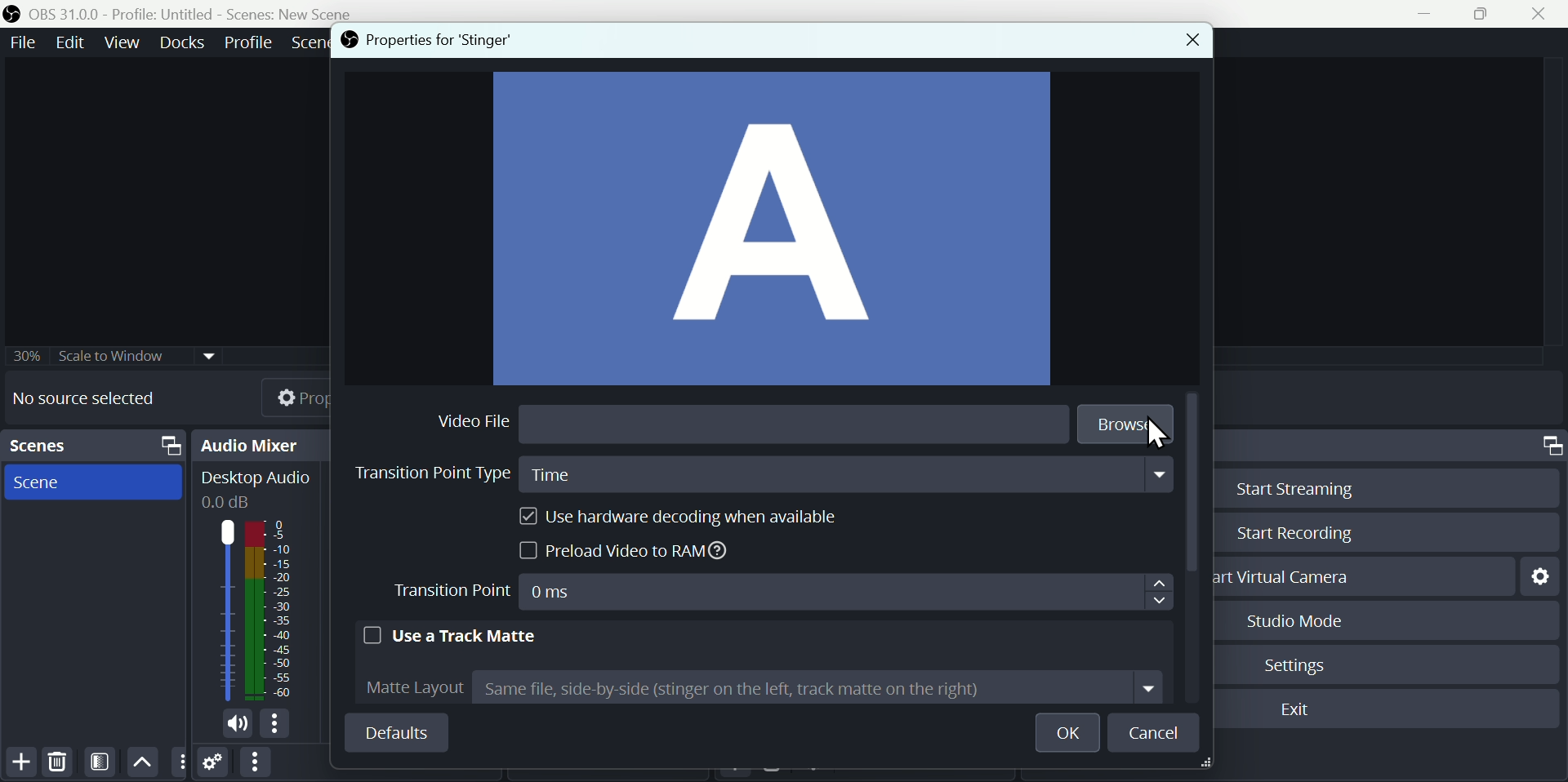 This screenshot has height=782, width=1568. What do you see at coordinates (819, 691) in the screenshot?
I see `Same file side by side bracket stinger on the left track mate on the] close` at bounding box center [819, 691].